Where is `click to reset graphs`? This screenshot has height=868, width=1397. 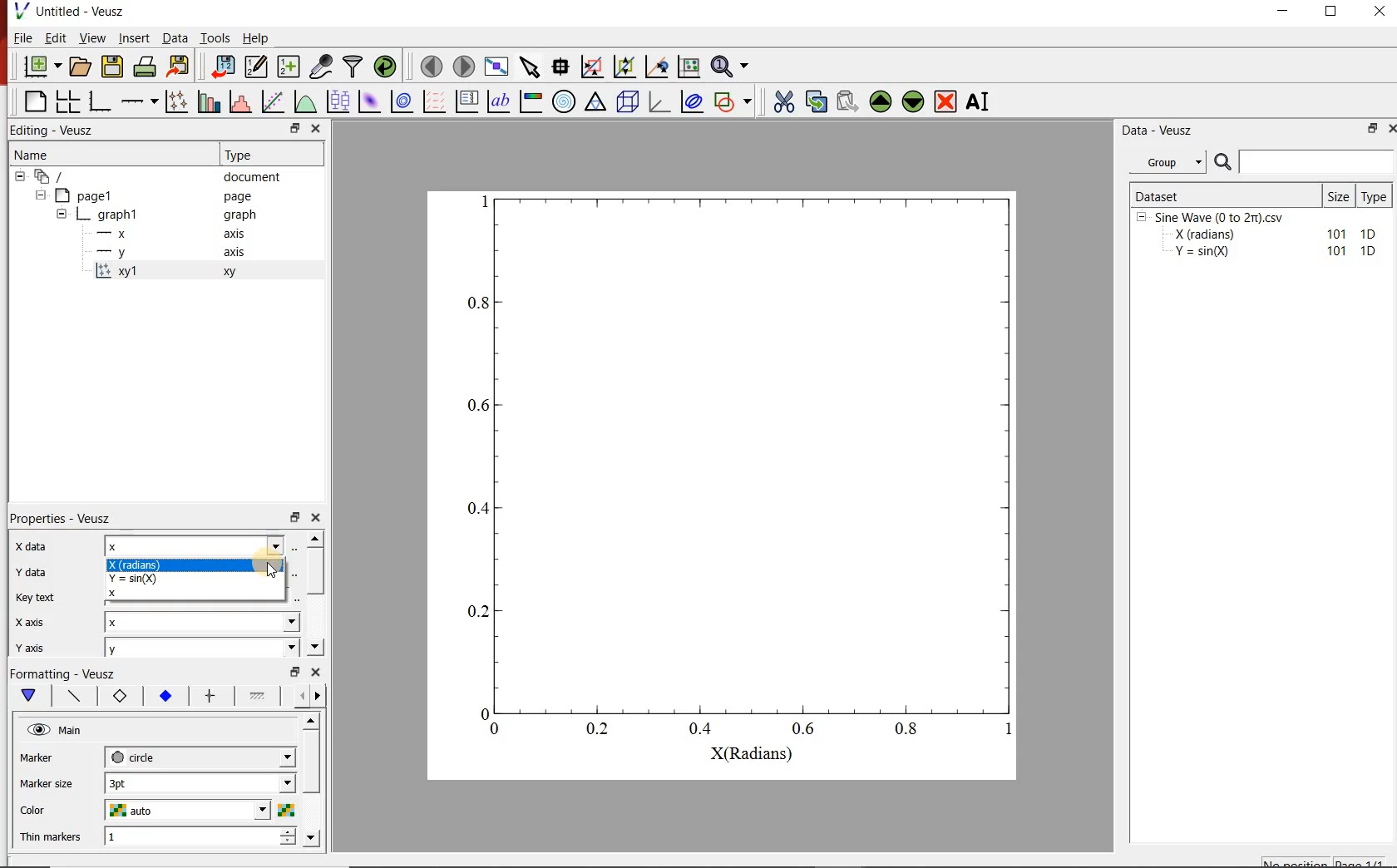 click to reset graphs is located at coordinates (689, 66).